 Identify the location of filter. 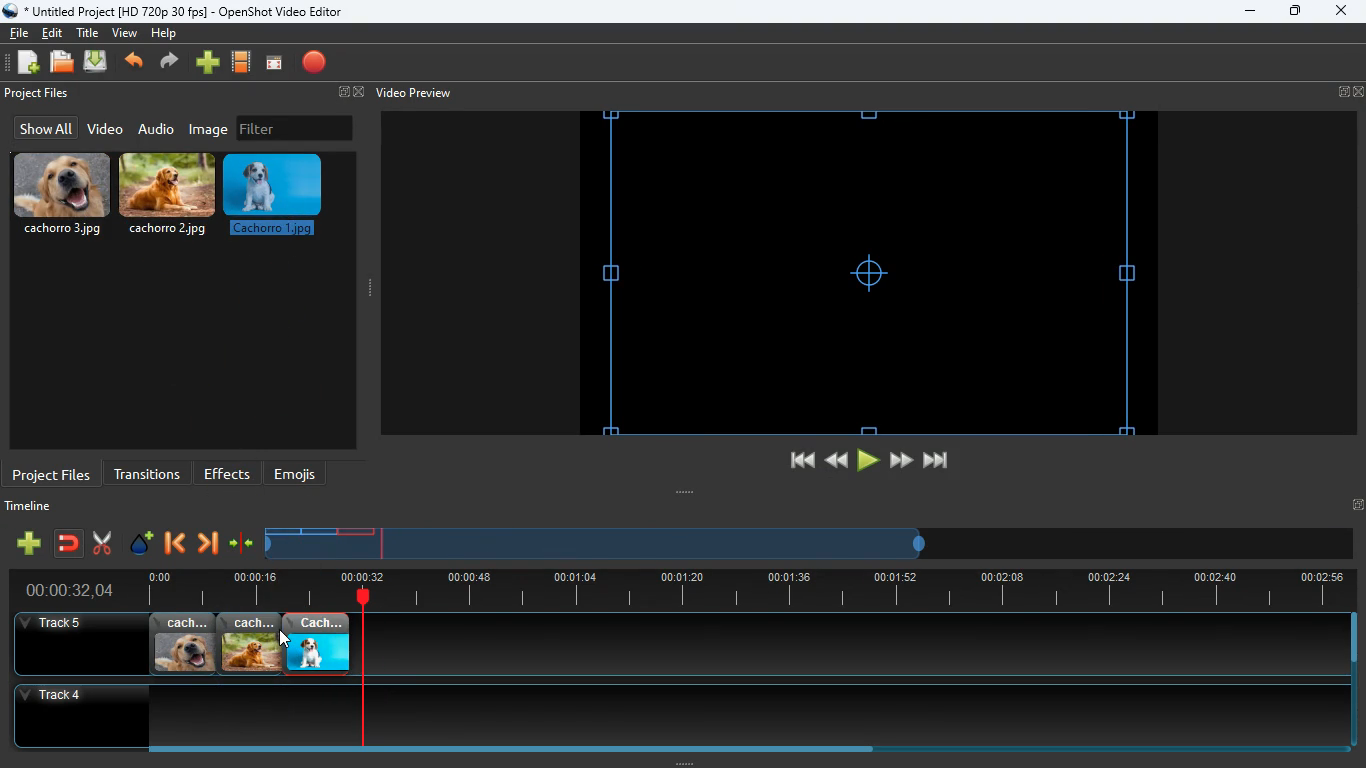
(295, 128).